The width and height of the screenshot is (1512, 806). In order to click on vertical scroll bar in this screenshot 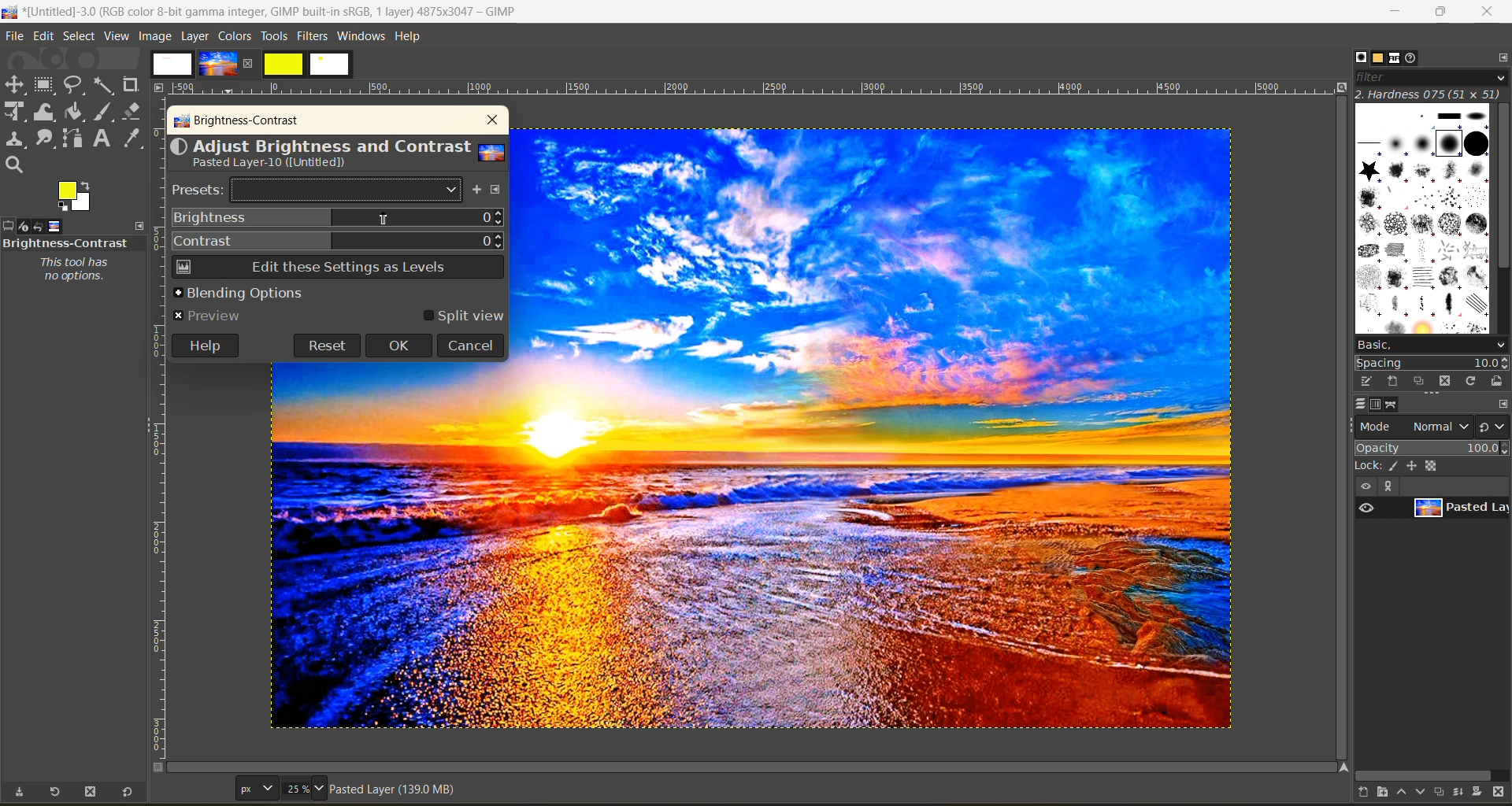, I will do `click(1503, 190)`.